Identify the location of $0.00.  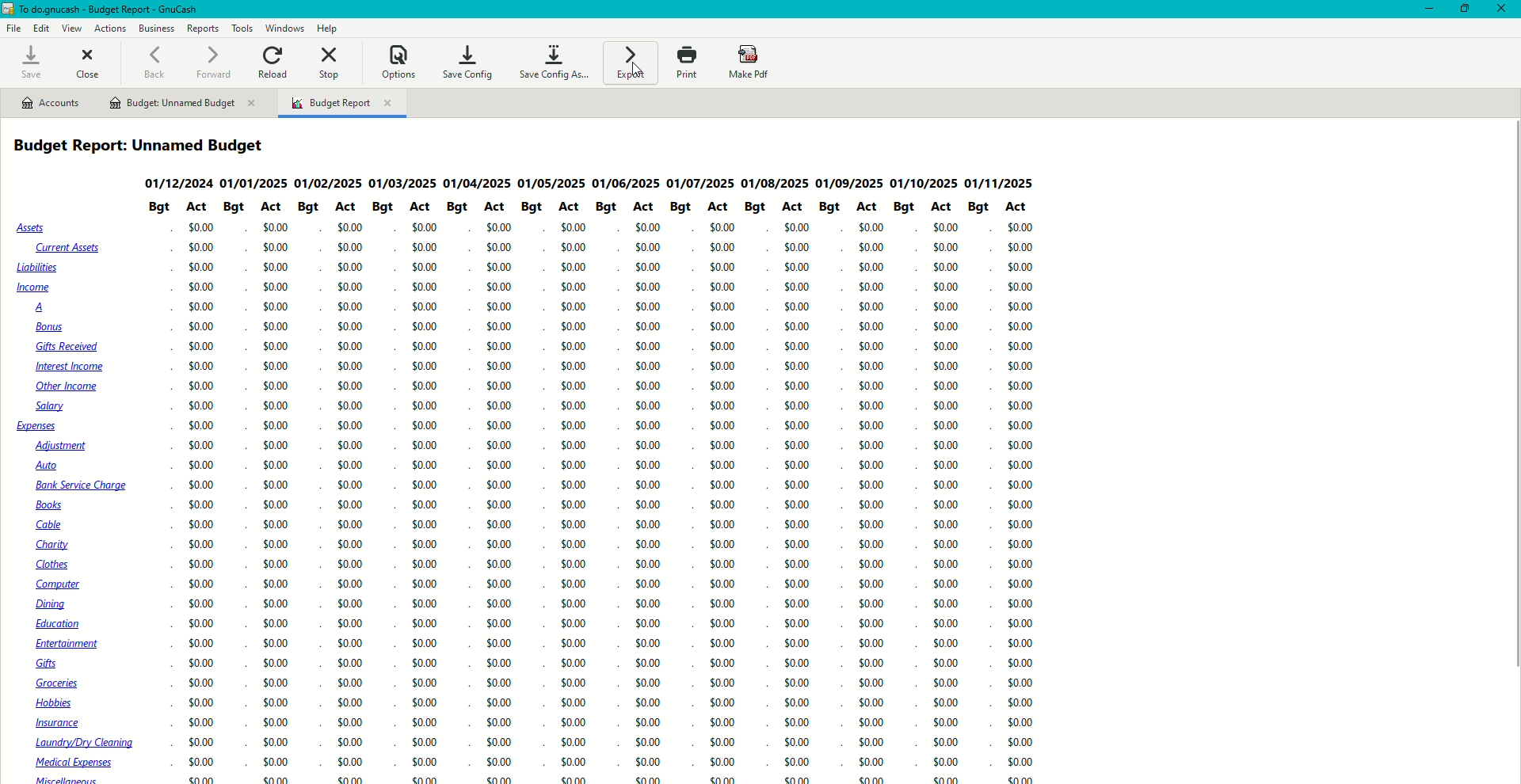
(646, 602).